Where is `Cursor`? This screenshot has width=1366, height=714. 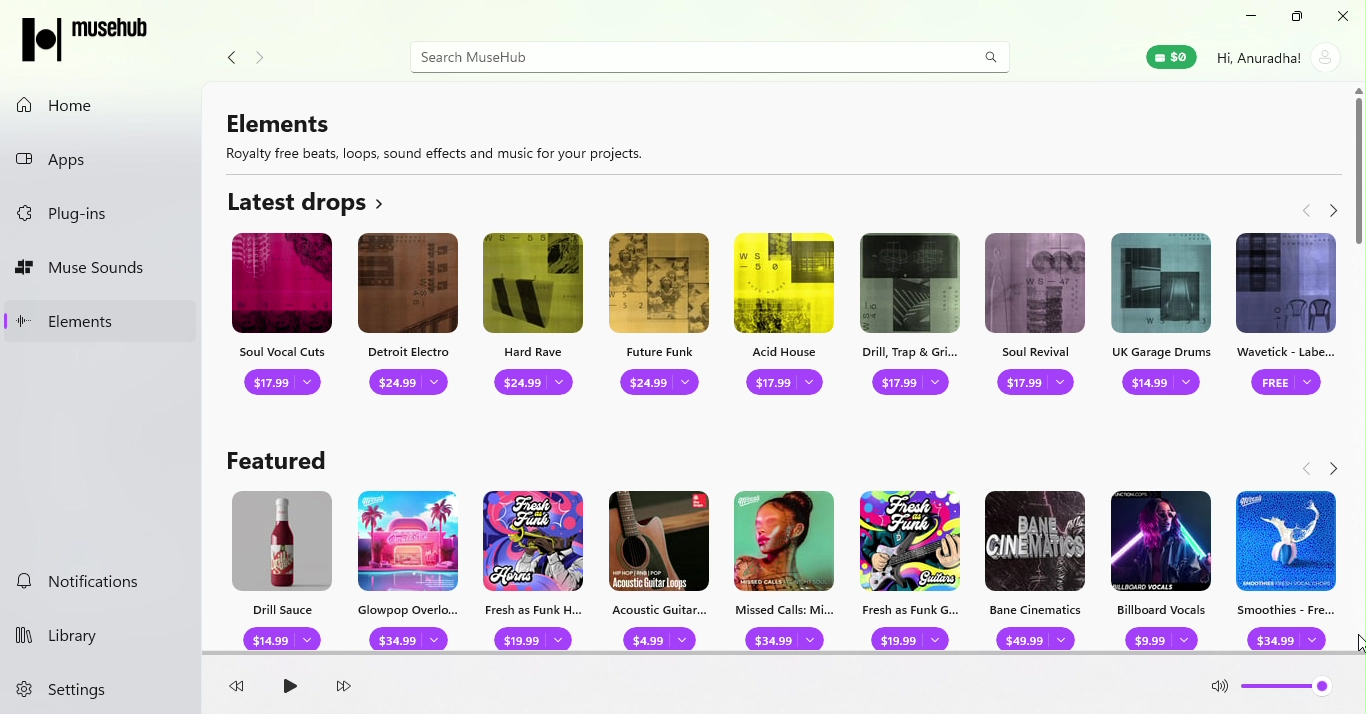 Cursor is located at coordinates (1352, 646).